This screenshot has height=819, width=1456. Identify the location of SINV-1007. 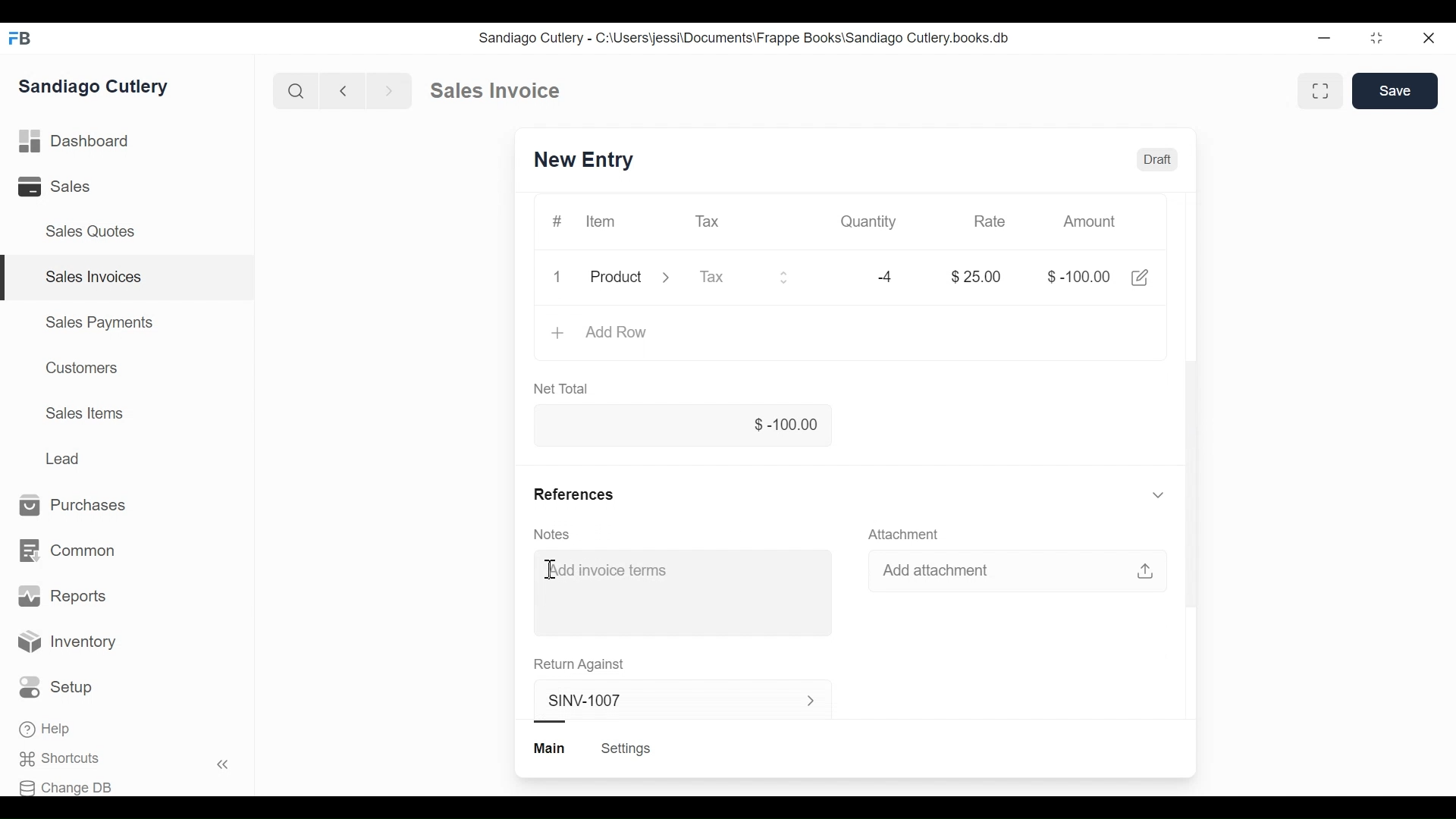
(674, 701).